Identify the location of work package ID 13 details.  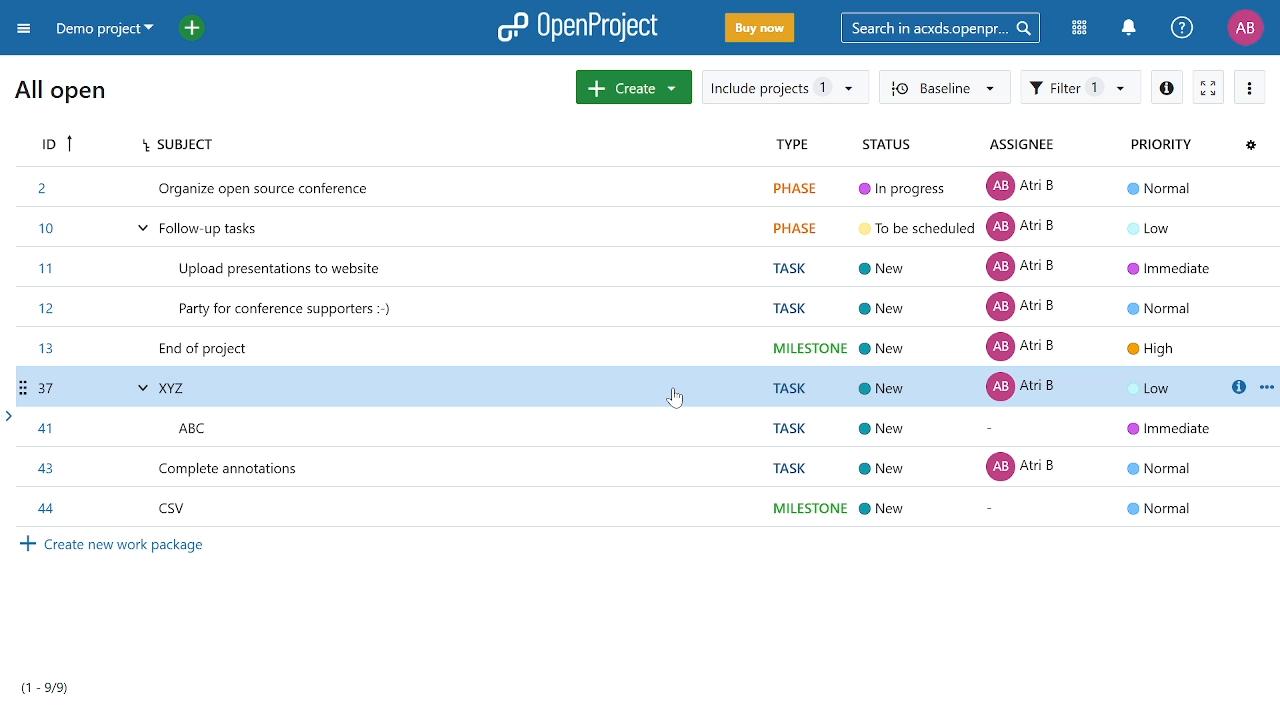
(647, 347).